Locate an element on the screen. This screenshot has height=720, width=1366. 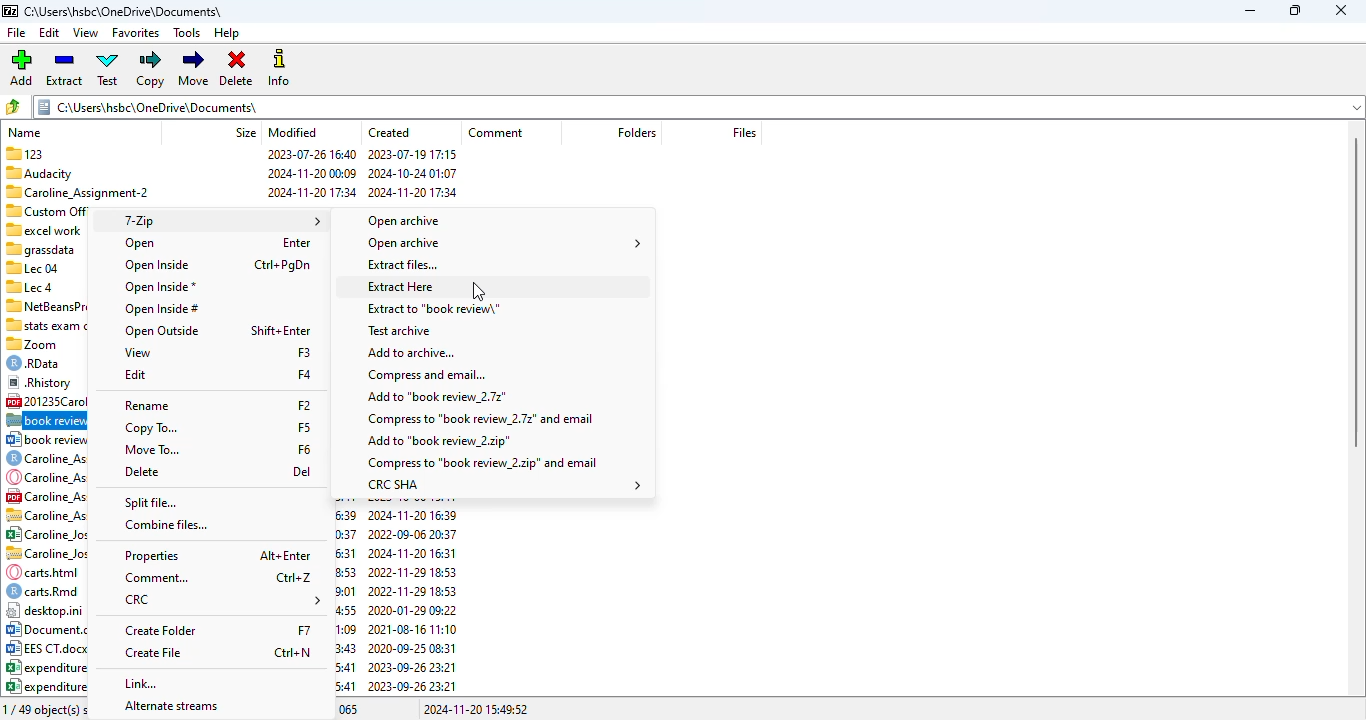
[4 201235Carolineloseph3. is located at coordinates (47, 401).